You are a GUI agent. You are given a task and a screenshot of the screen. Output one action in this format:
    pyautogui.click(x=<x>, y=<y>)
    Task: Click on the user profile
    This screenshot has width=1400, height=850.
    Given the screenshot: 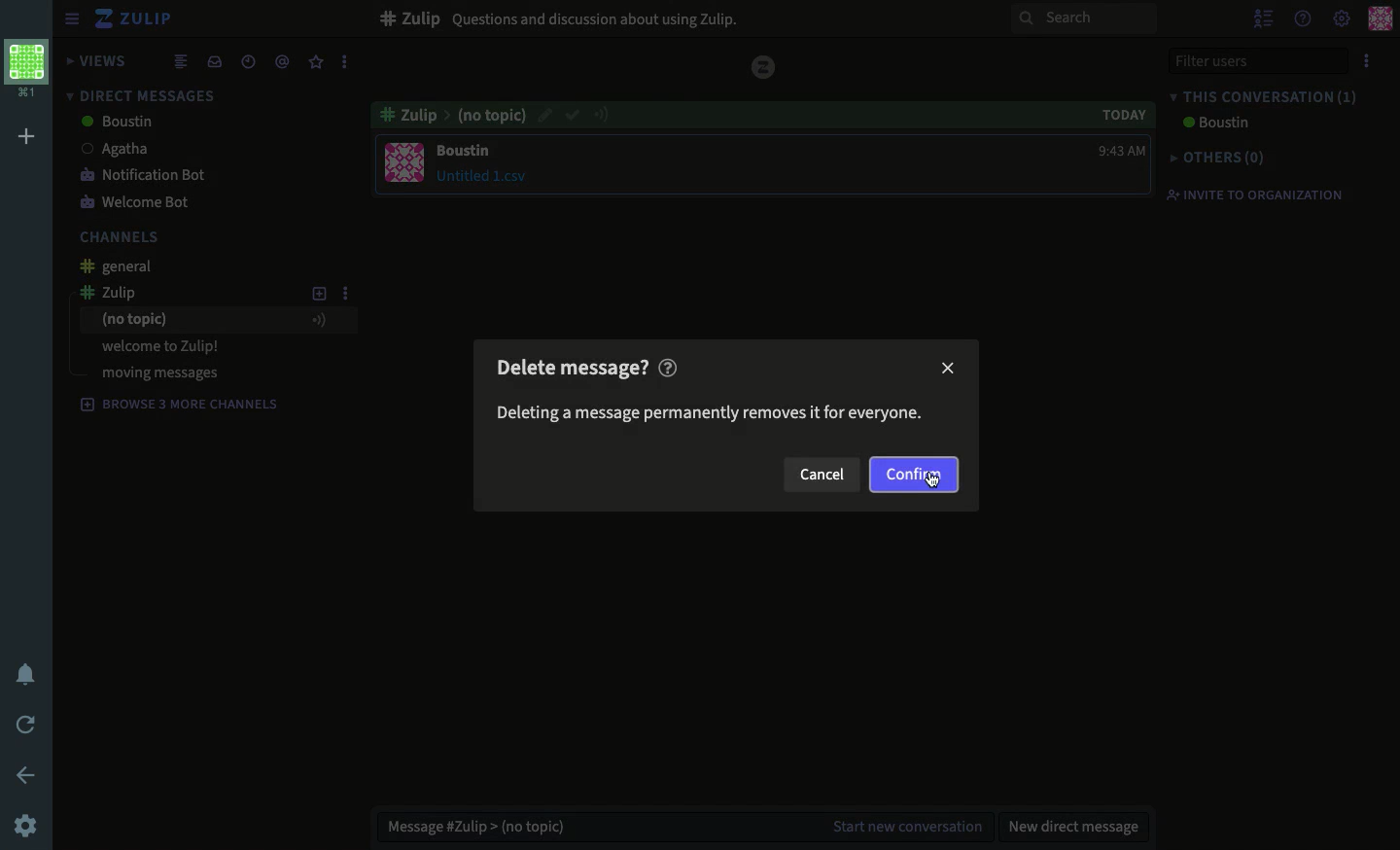 What is the action you would take?
    pyautogui.click(x=406, y=162)
    